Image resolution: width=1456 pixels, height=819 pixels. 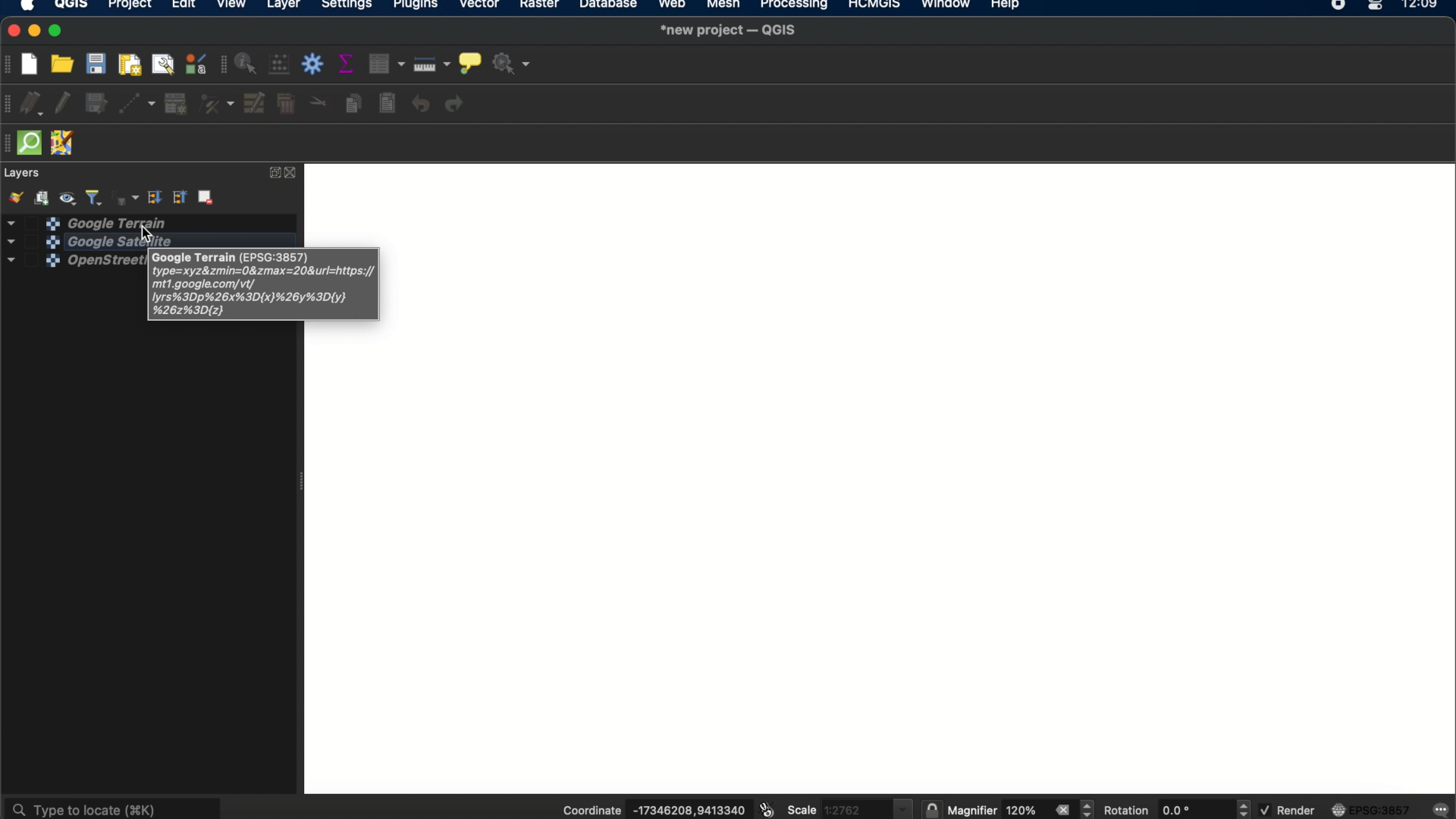 What do you see at coordinates (873, 6) in the screenshot?
I see `HCMGIS` at bounding box center [873, 6].